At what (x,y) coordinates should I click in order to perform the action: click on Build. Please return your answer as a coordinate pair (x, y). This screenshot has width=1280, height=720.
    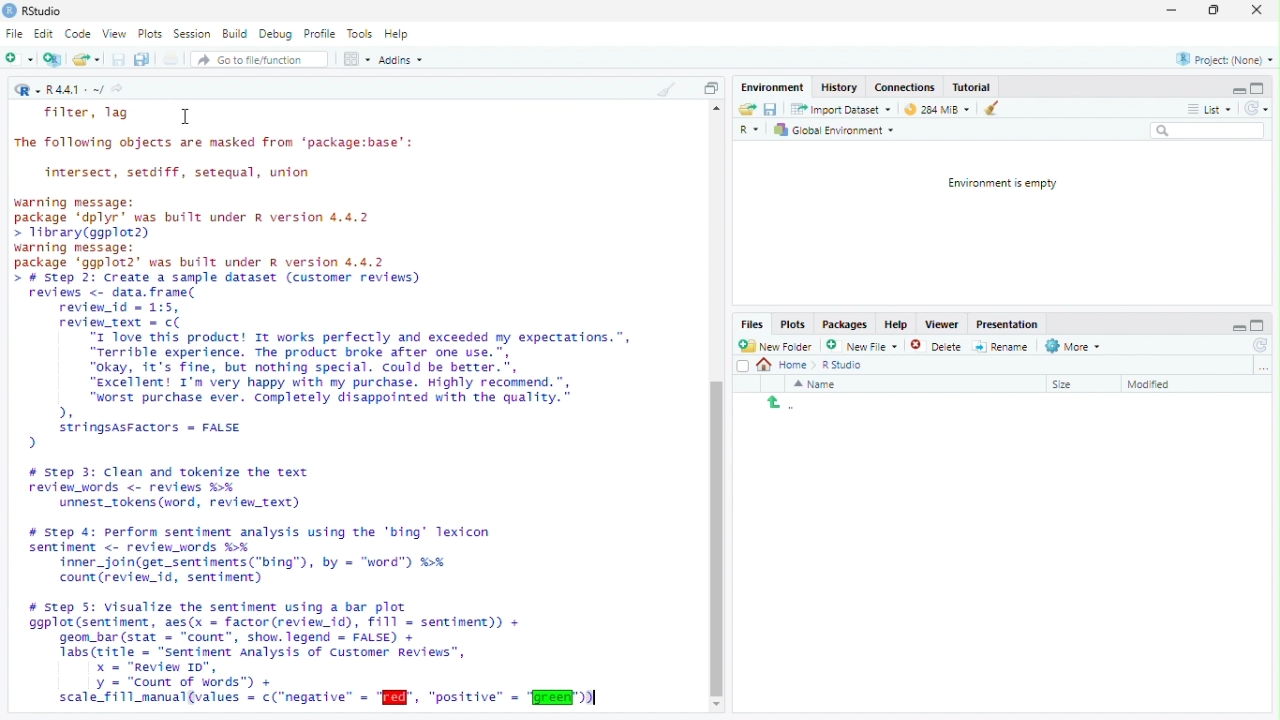
    Looking at the image, I should click on (234, 32).